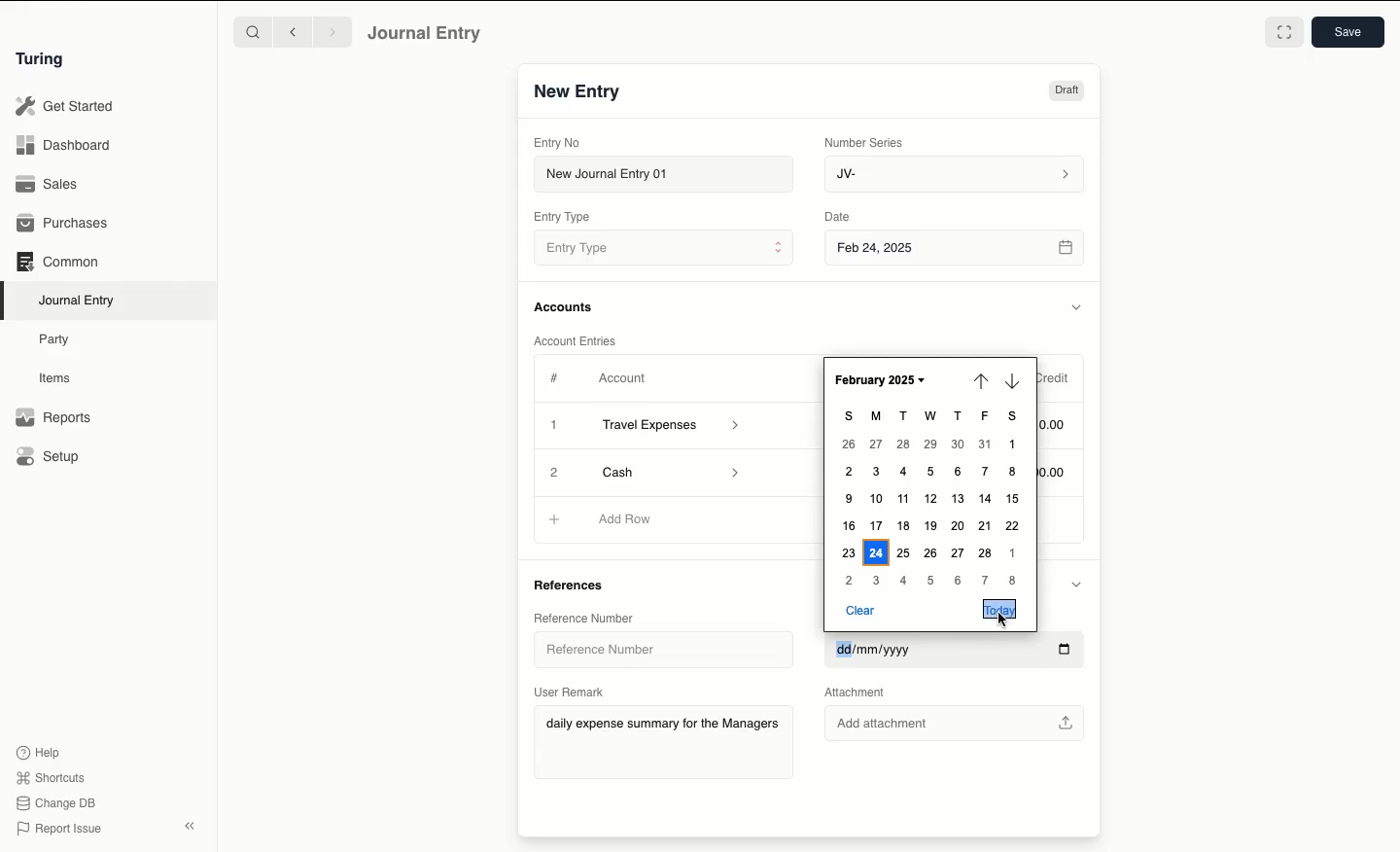 Image resolution: width=1400 pixels, height=852 pixels. What do you see at coordinates (556, 377) in the screenshot?
I see `Hashtag` at bounding box center [556, 377].